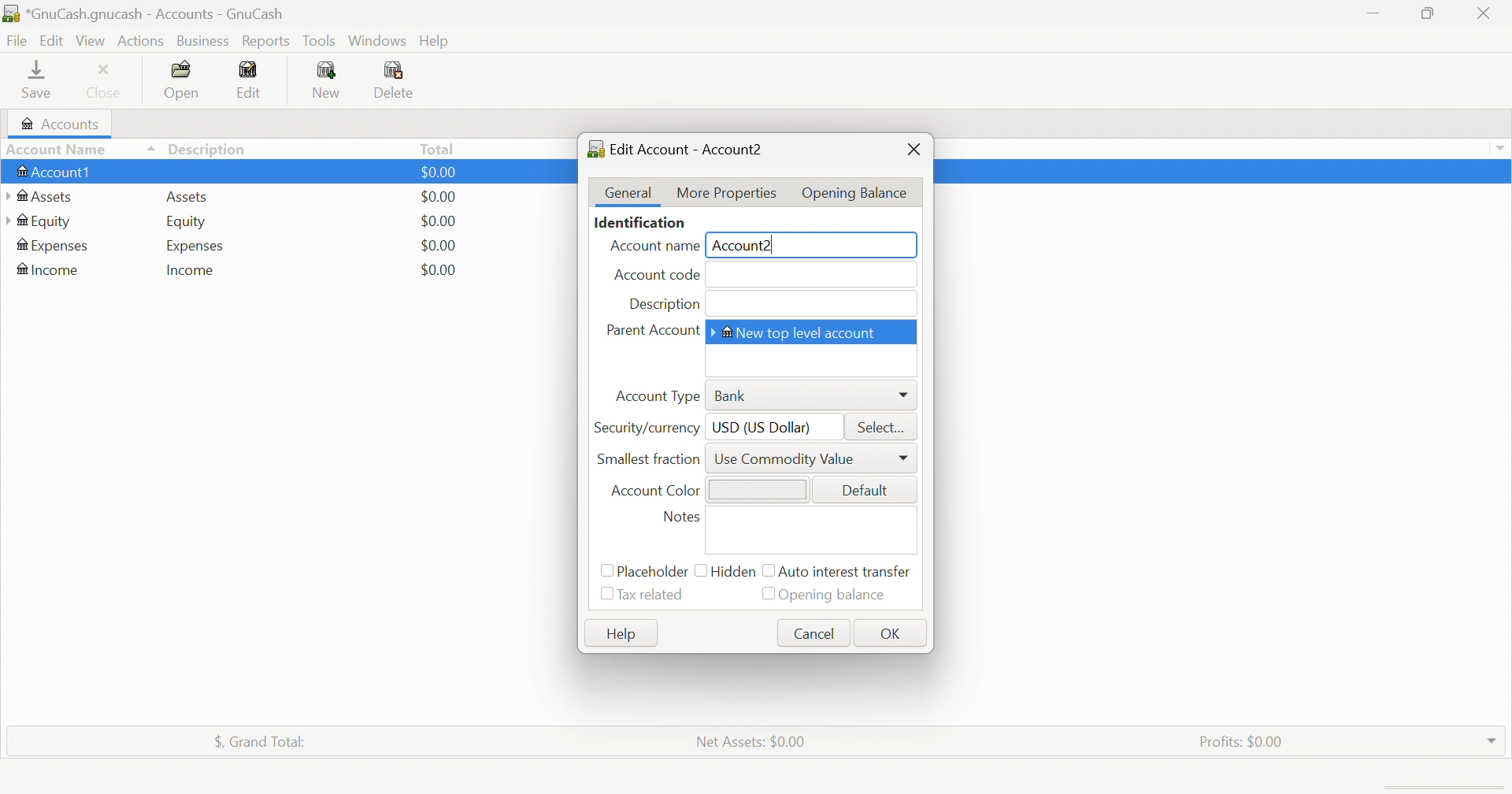  What do you see at coordinates (259, 742) in the screenshot?
I see `$, Grand Total:` at bounding box center [259, 742].